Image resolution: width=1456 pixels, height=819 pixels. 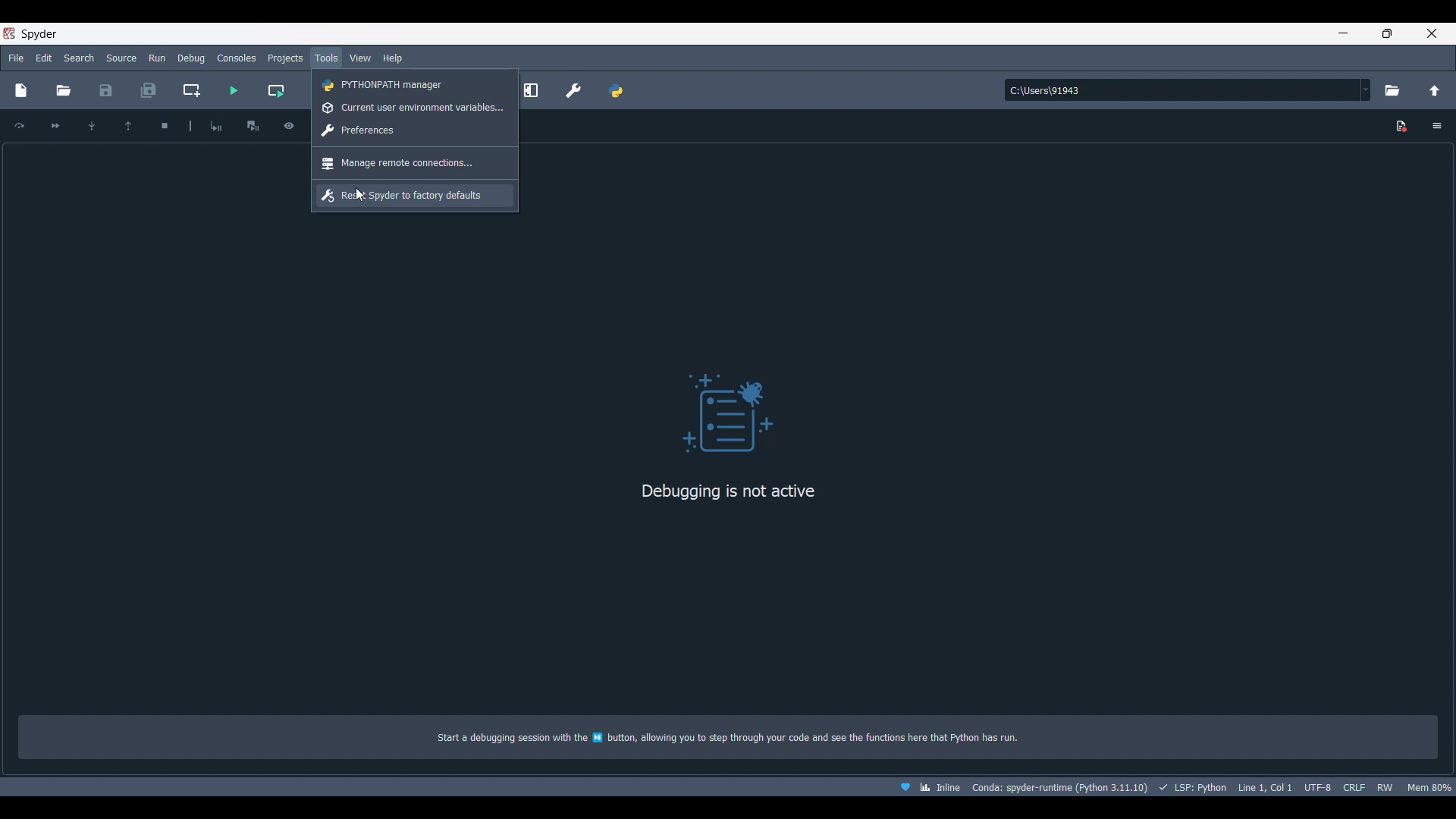 What do you see at coordinates (1432, 33) in the screenshot?
I see `Close interface` at bounding box center [1432, 33].